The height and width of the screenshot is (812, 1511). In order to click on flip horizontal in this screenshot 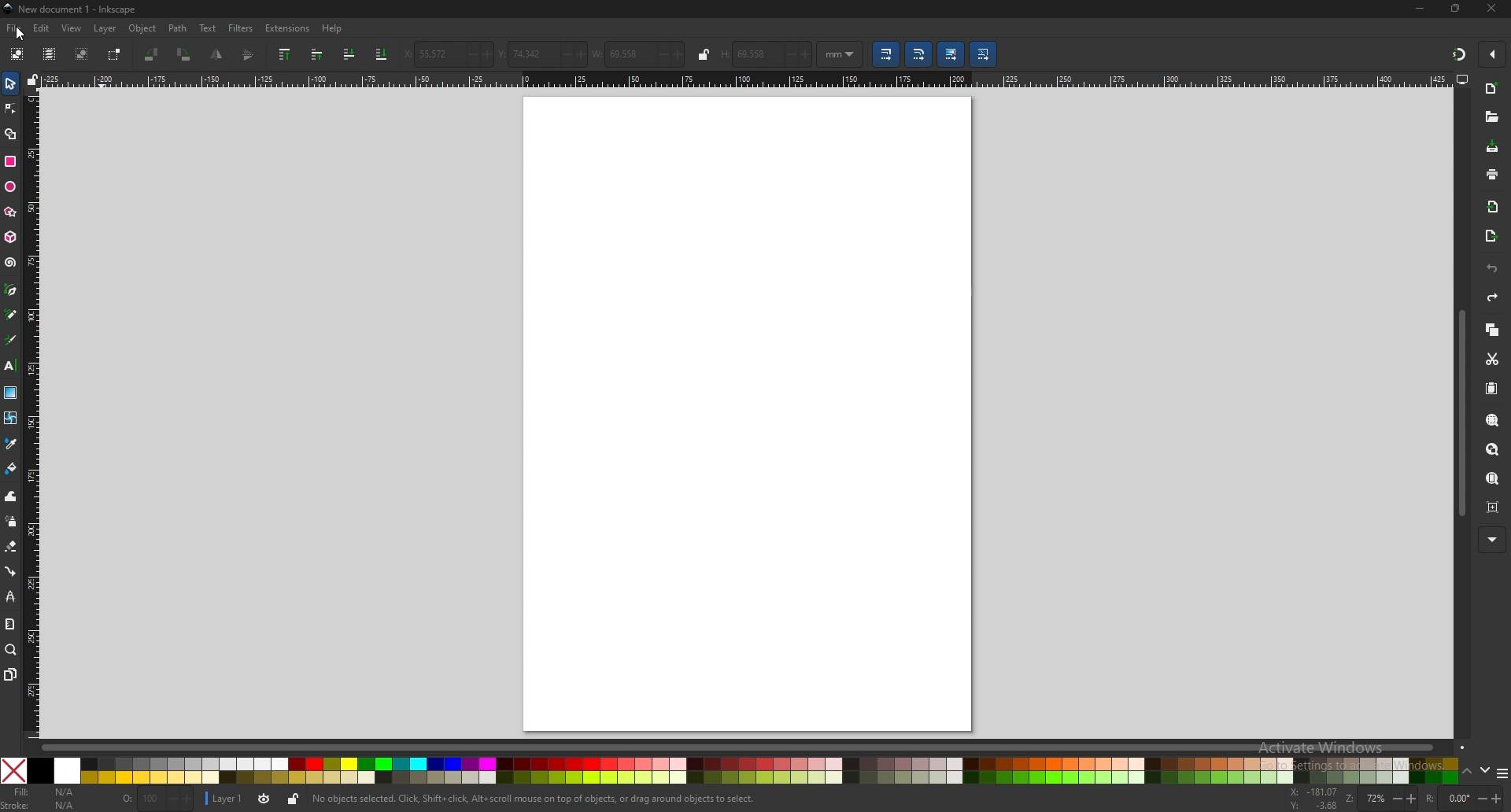, I will do `click(217, 54)`.